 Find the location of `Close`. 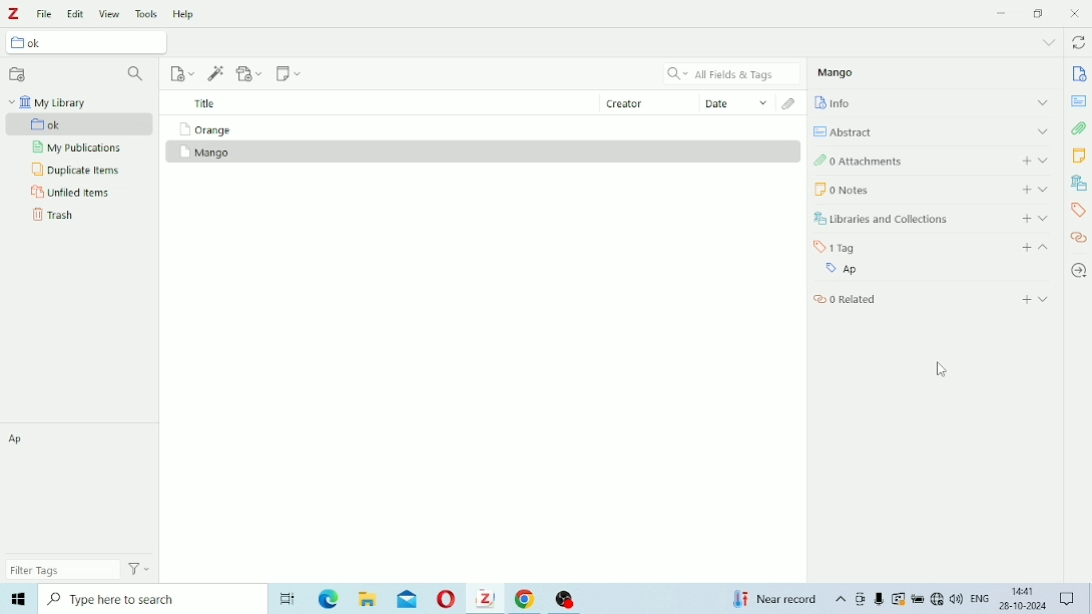

Close is located at coordinates (1076, 13).